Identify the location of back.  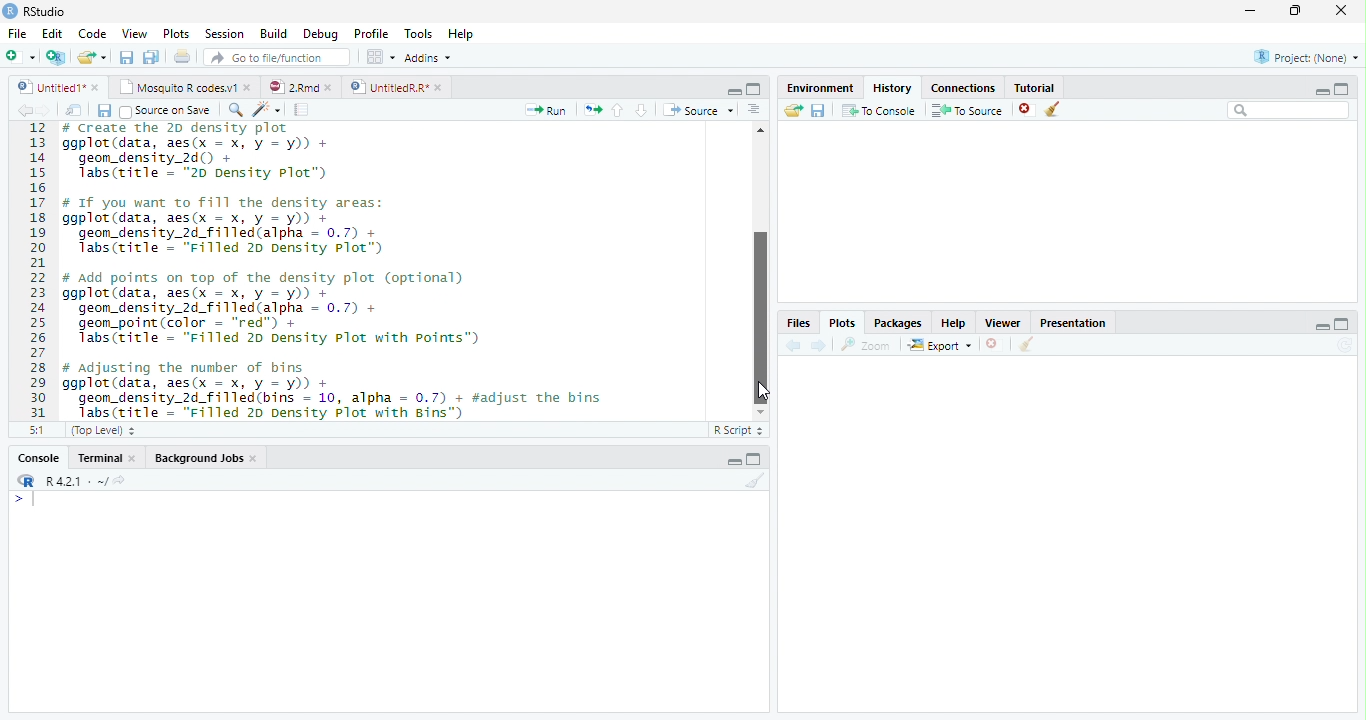
(790, 345).